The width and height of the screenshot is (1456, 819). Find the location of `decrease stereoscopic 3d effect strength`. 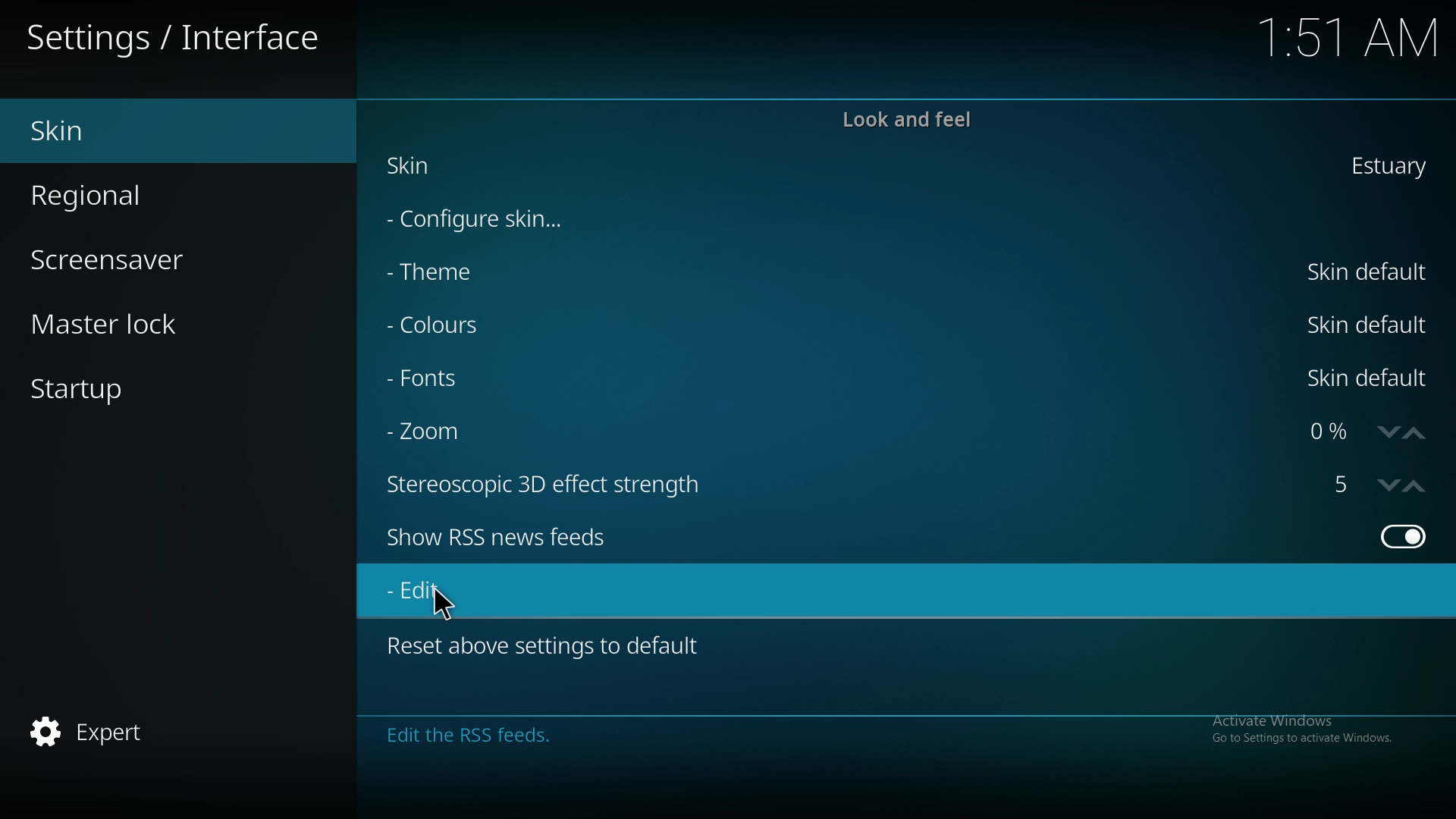

decrease stereoscopic 3d effect strength is located at coordinates (1389, 485).